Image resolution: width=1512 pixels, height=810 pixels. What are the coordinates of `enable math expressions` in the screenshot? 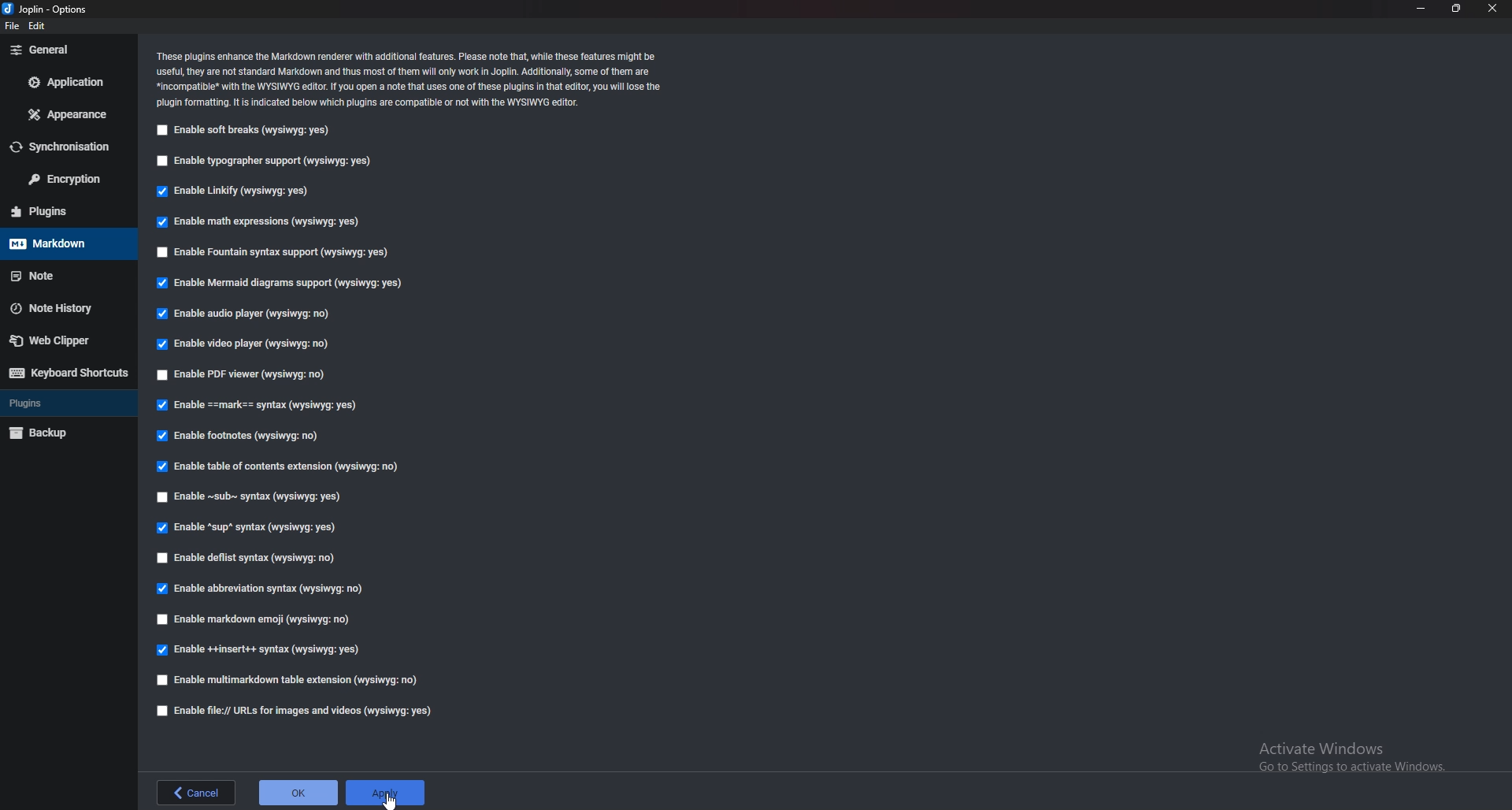 It's located at (261, 224).